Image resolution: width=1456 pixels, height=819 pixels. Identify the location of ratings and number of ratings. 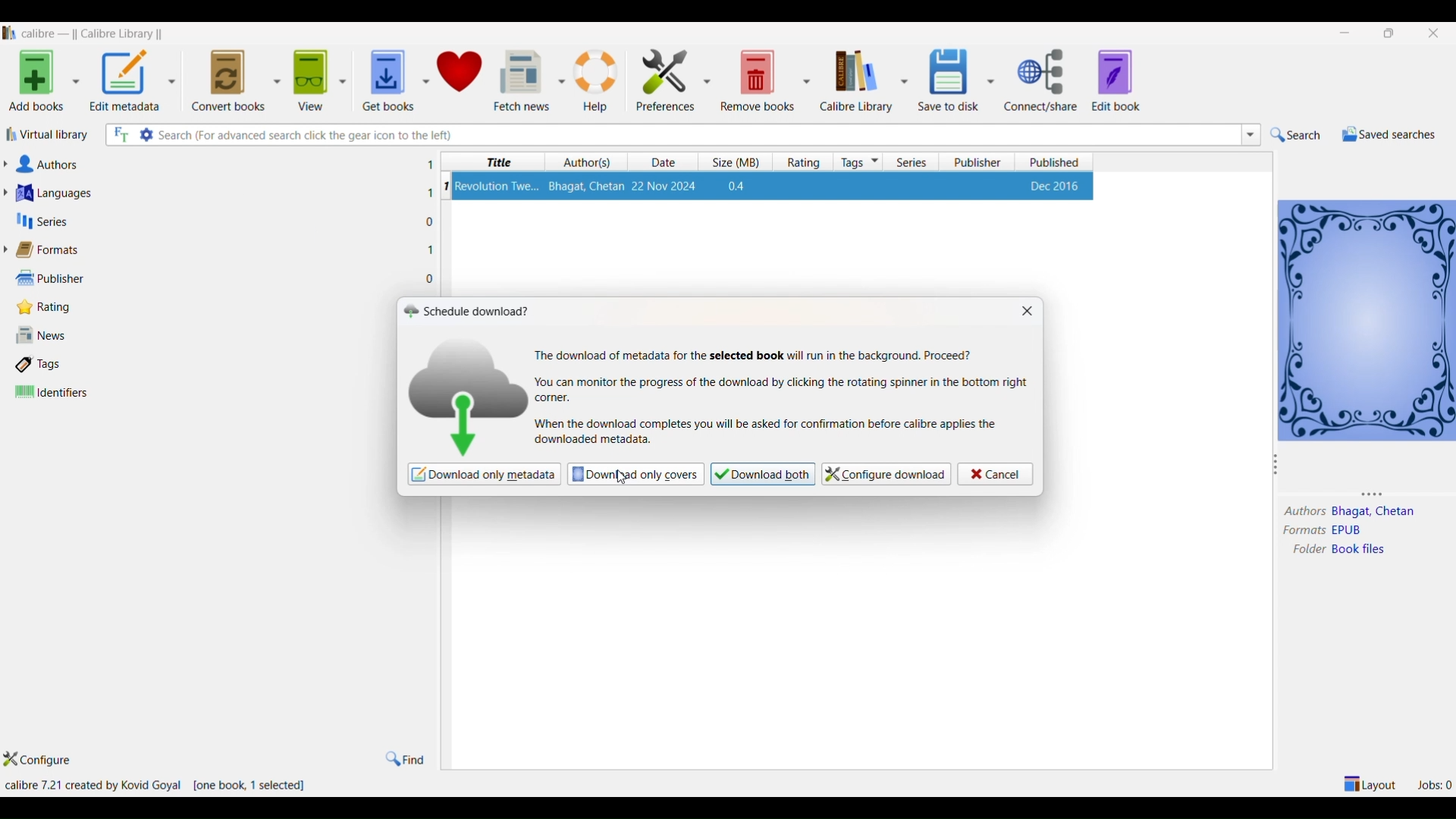
(49, 306).